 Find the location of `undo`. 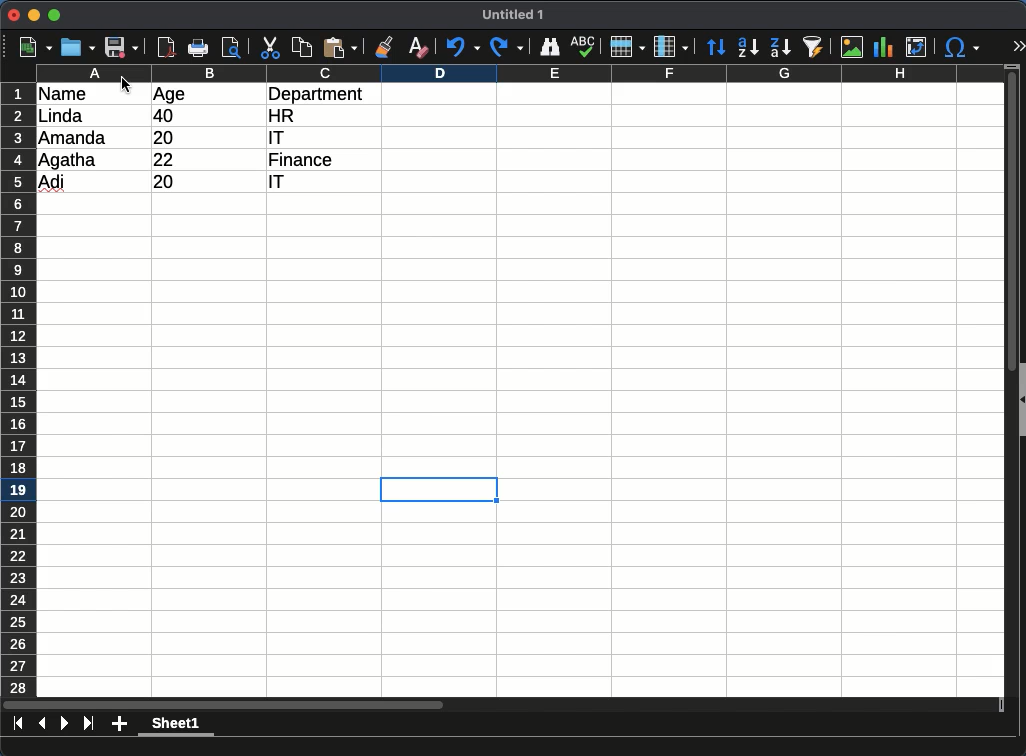

undo is located at coordinates (463, 48).